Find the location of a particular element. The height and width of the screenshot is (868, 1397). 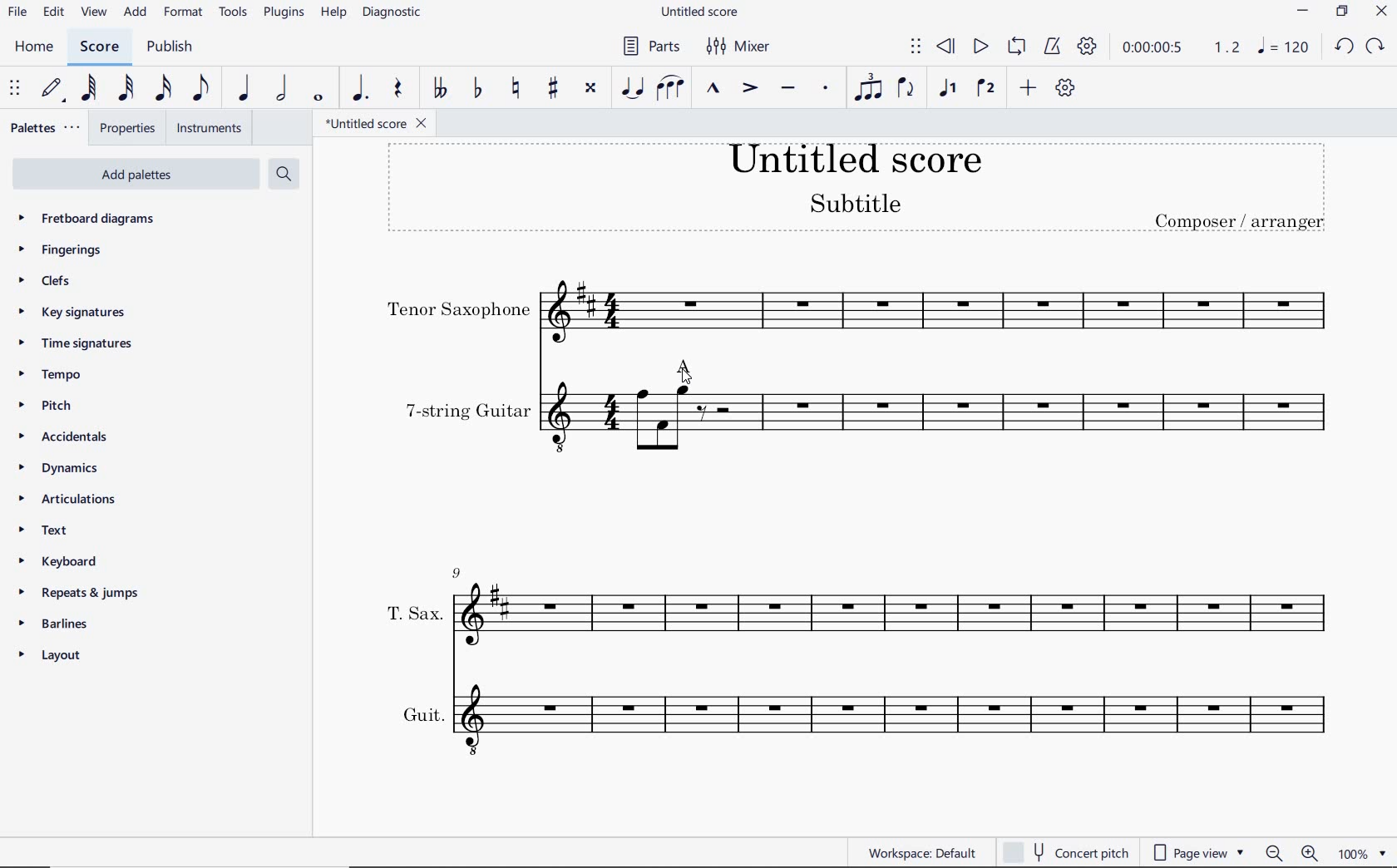

FORMAT is located at coordinates (184, 13).